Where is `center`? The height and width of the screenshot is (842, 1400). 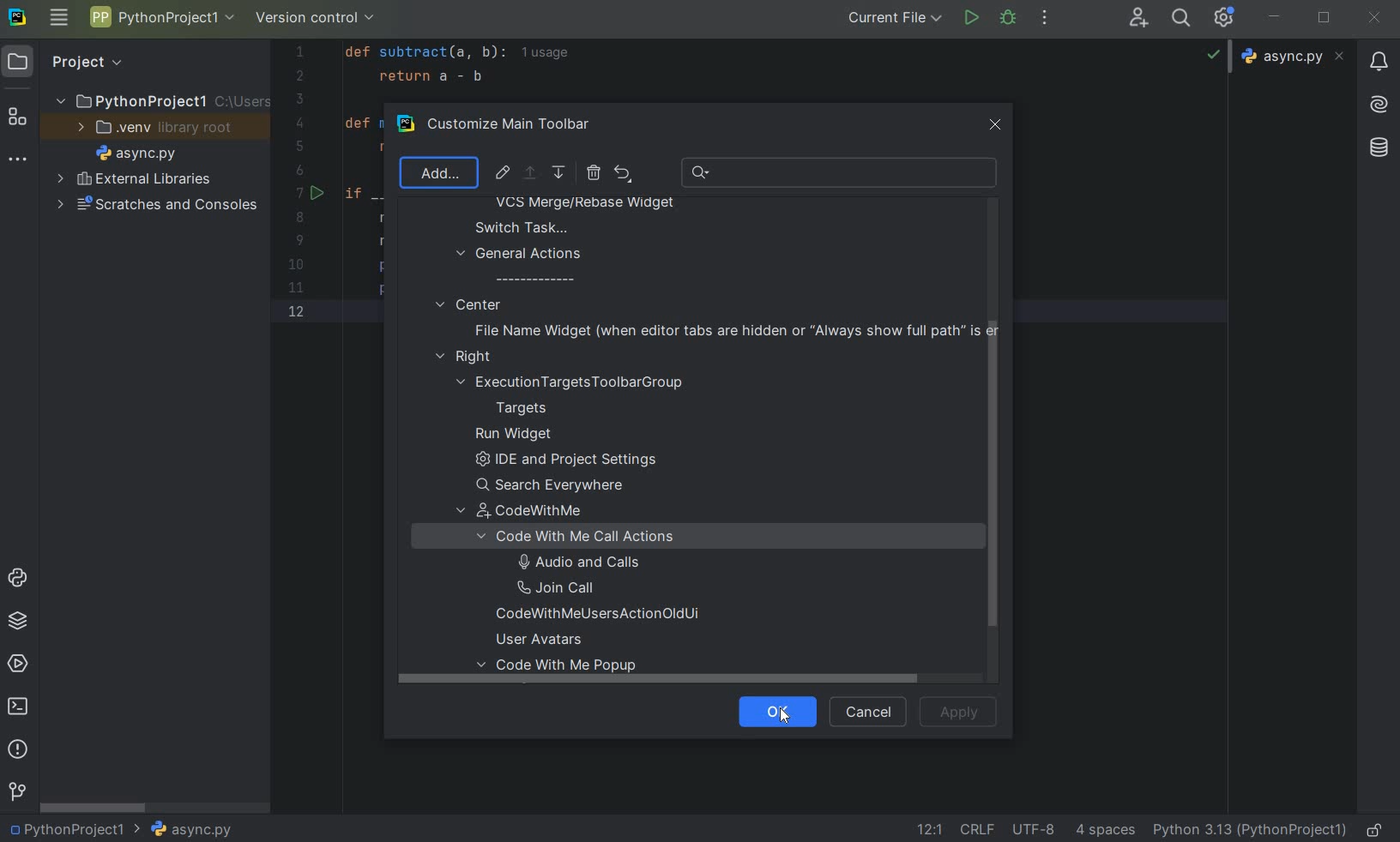
center is located at coordinates (468, 304).